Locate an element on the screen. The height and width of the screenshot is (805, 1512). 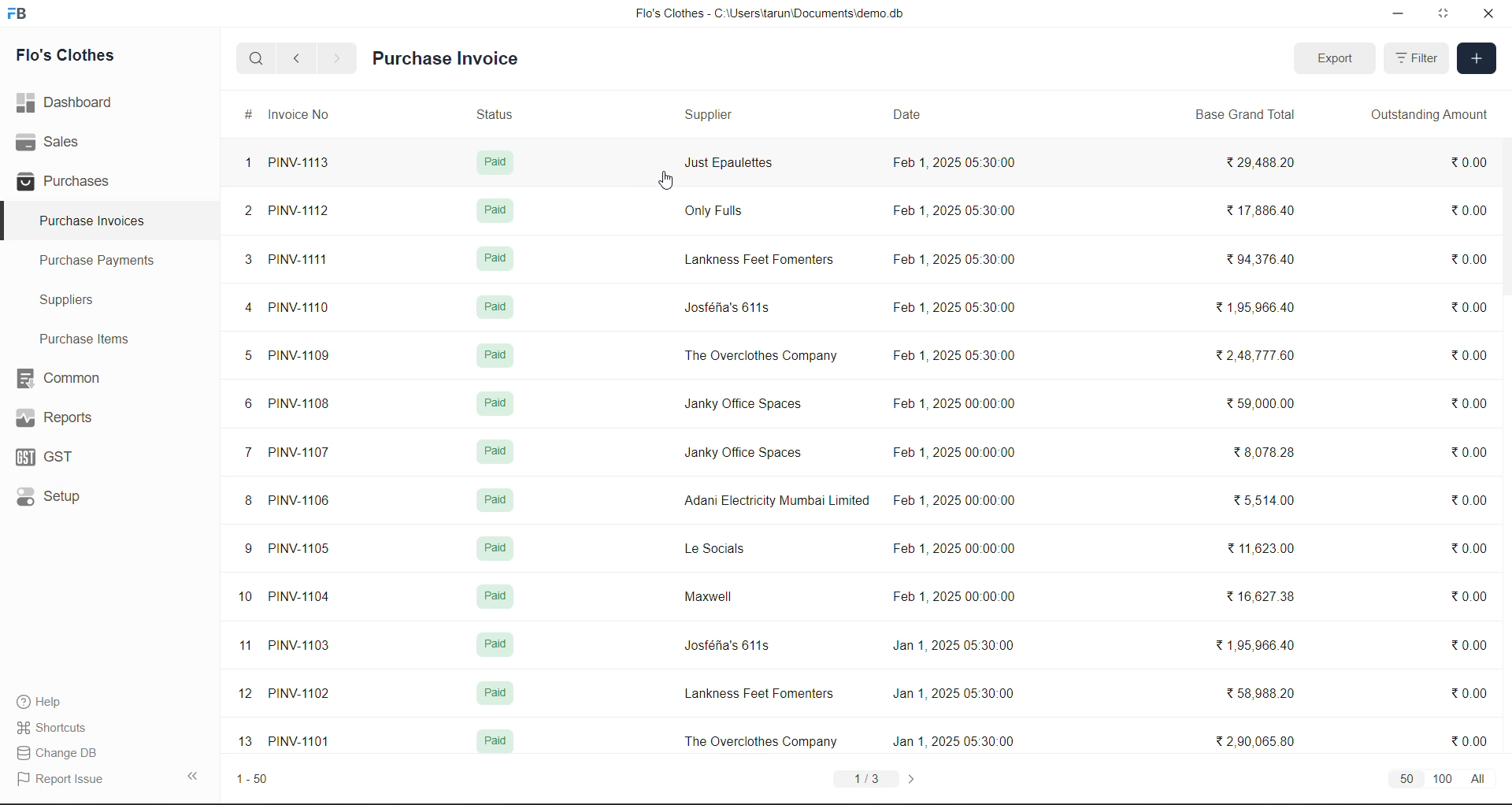
PINV-1107 is located at coordinates (308, 454).